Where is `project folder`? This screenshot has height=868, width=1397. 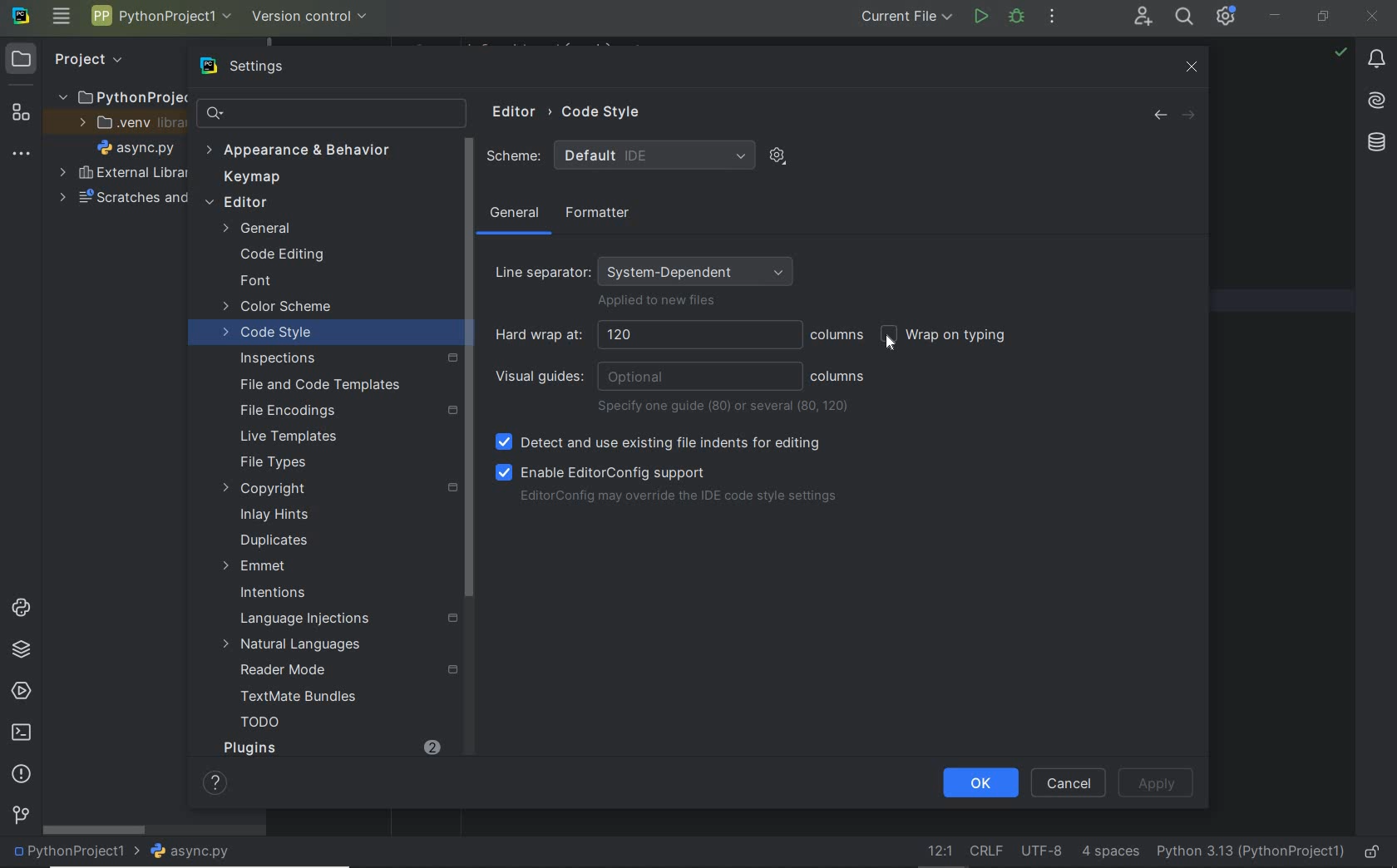 project folder is located at coordinates (120, 98).